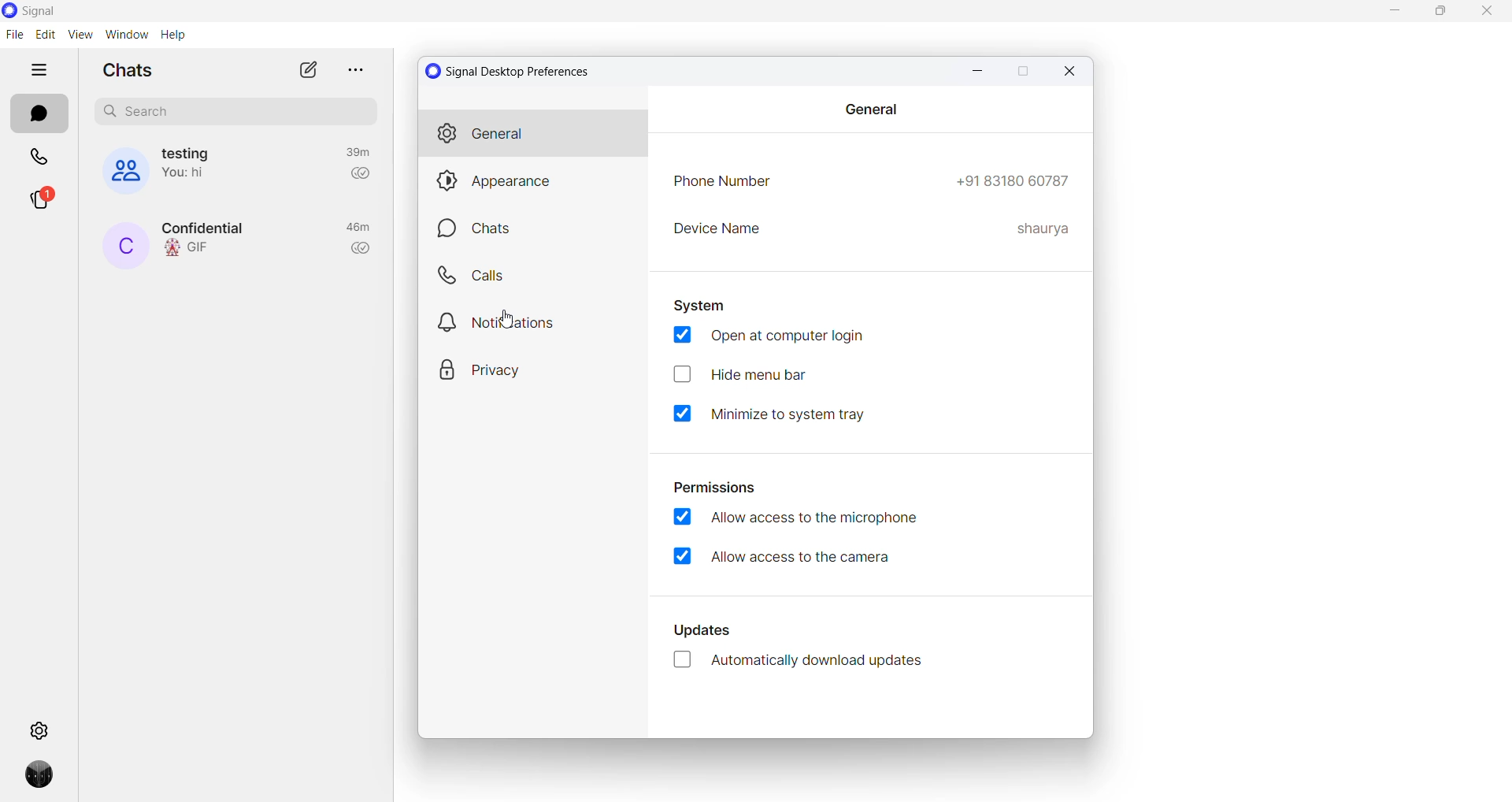  Describe the element at coordinates (36, 115) in the screenshot. I see `chats` at that location.